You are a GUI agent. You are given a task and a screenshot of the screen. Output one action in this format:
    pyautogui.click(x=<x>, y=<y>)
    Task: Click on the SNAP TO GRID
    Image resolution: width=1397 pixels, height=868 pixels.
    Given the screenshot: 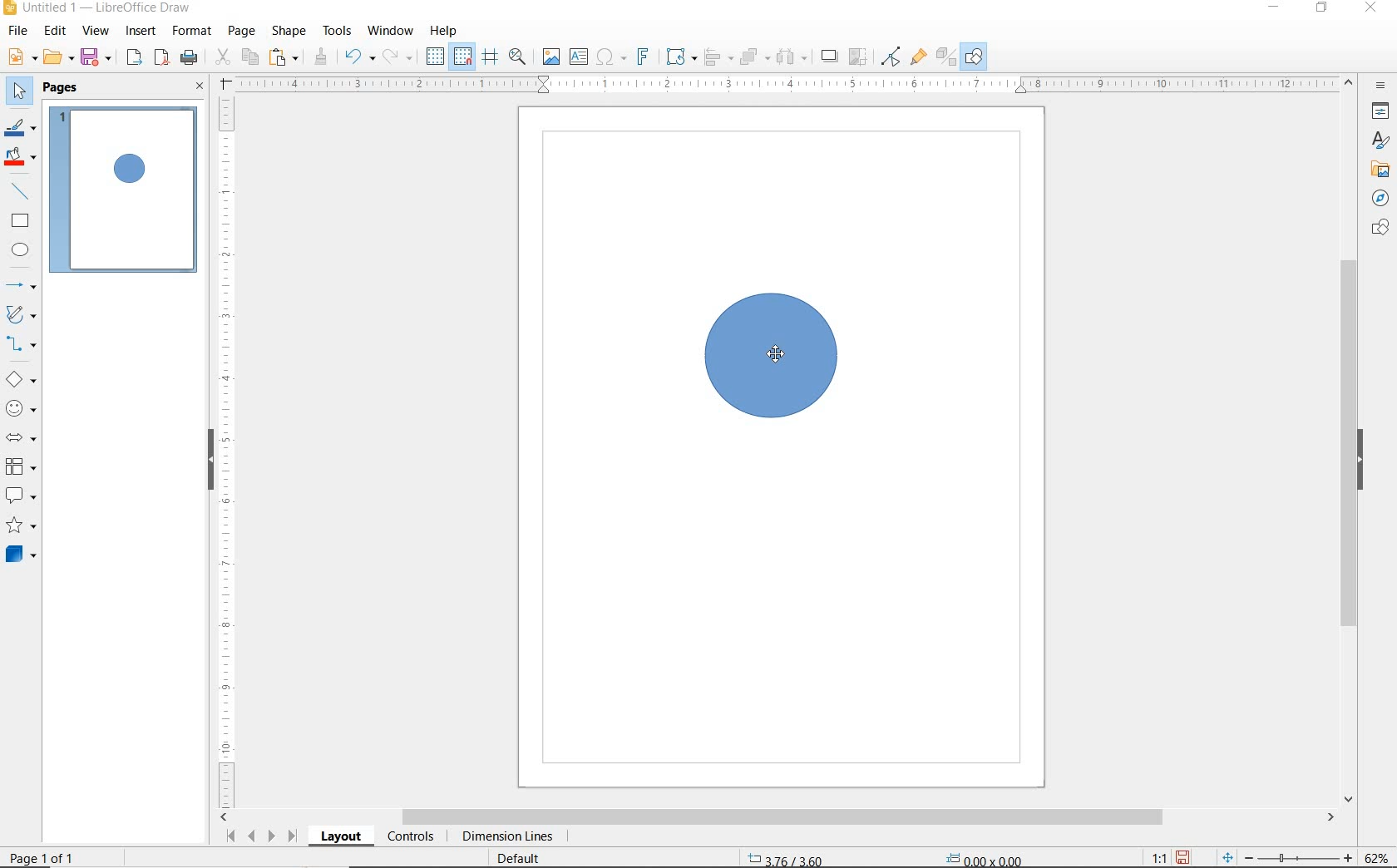 What is the action you would take?
    pyautogui.click(x=464, y=57)
    